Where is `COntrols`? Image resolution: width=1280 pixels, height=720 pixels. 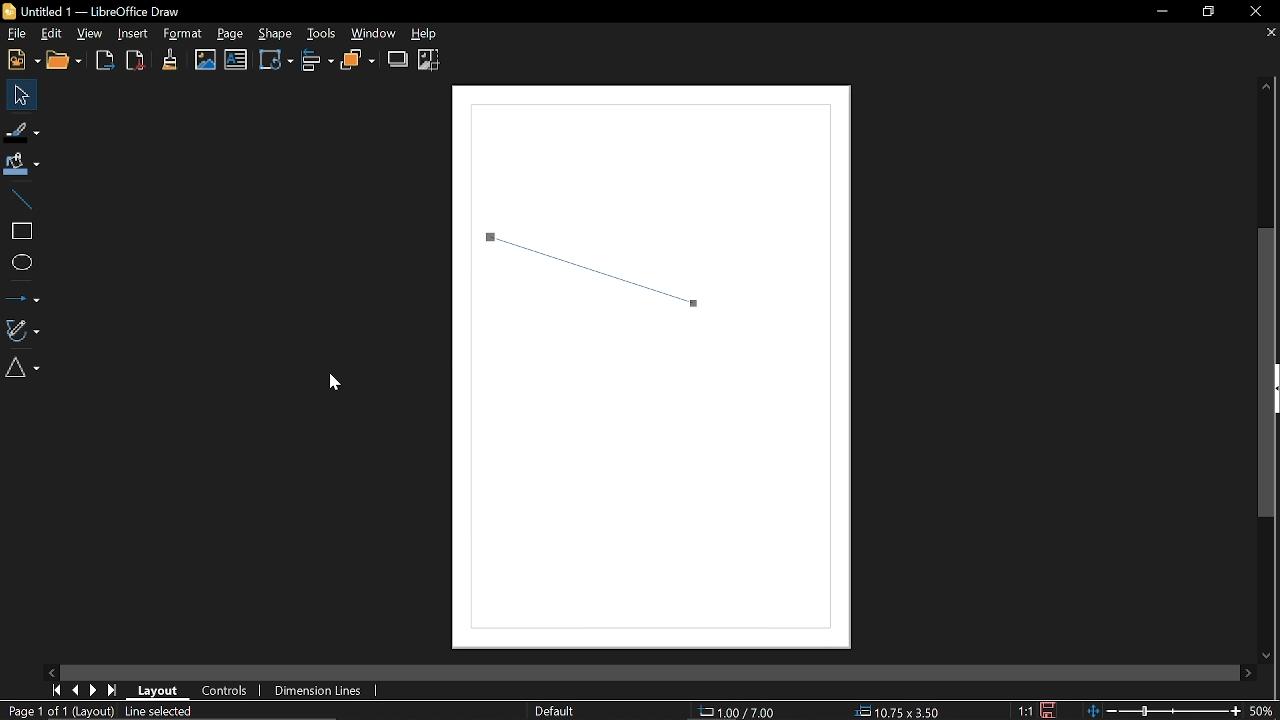
COntrols is located at coordinates (226, 689).